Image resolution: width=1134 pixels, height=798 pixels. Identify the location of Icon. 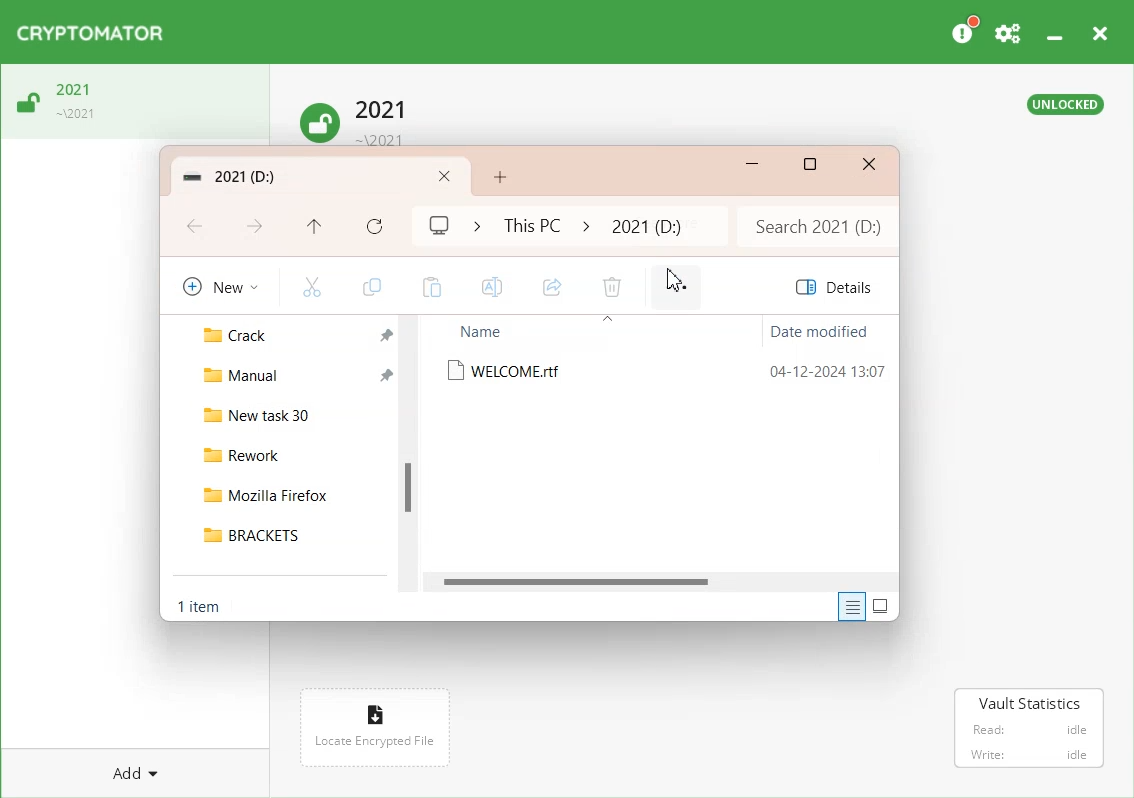
(477, 227).